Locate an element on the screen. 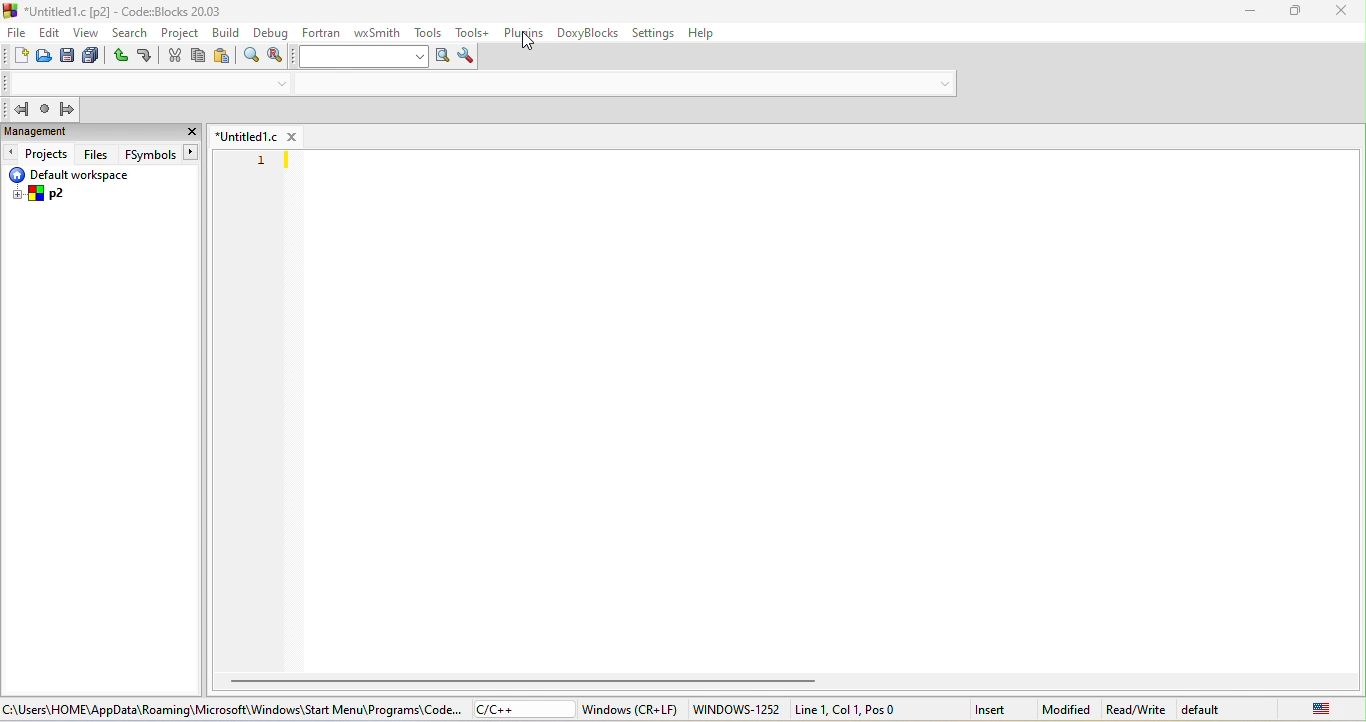 The width and height of the screenshot is (1366, 722). untitled 1 is located at coordinates (257, 135).